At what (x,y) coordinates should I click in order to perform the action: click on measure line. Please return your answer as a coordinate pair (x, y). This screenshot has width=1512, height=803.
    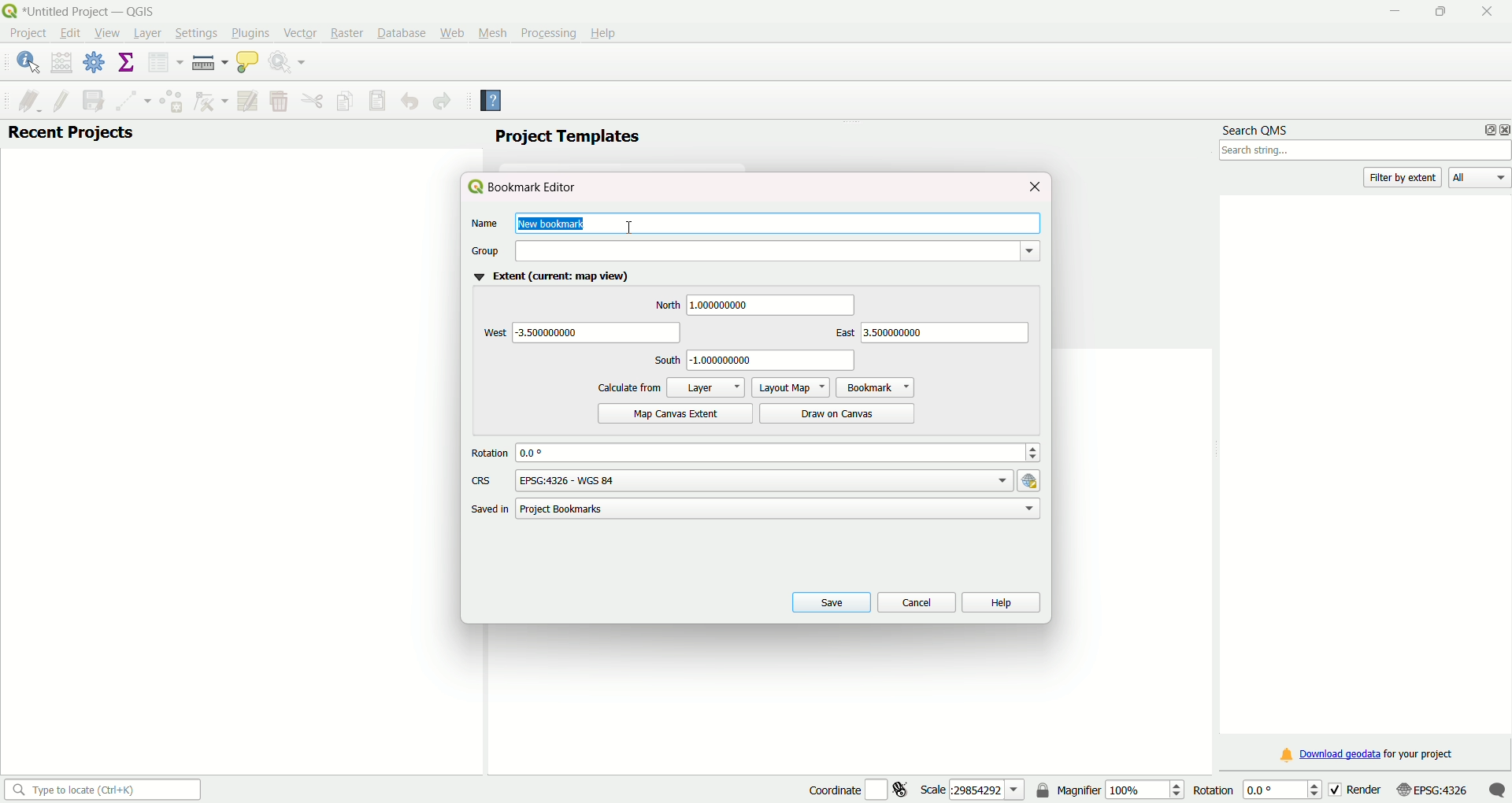
    Looking at the image, I should click on (209, 63).